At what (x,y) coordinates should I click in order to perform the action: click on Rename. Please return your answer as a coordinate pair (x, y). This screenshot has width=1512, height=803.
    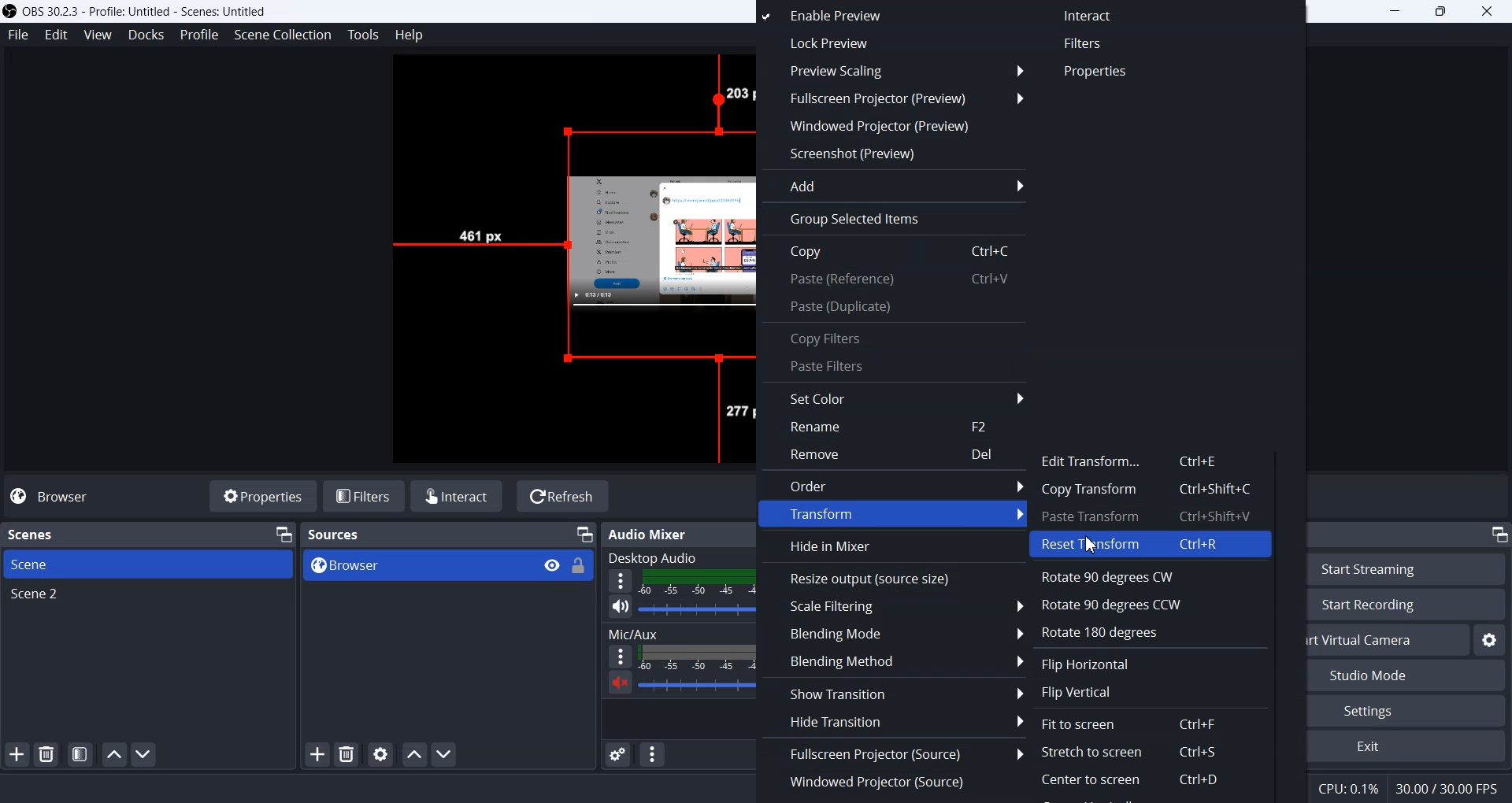
    Looking at the image, I should click on (895, 426).